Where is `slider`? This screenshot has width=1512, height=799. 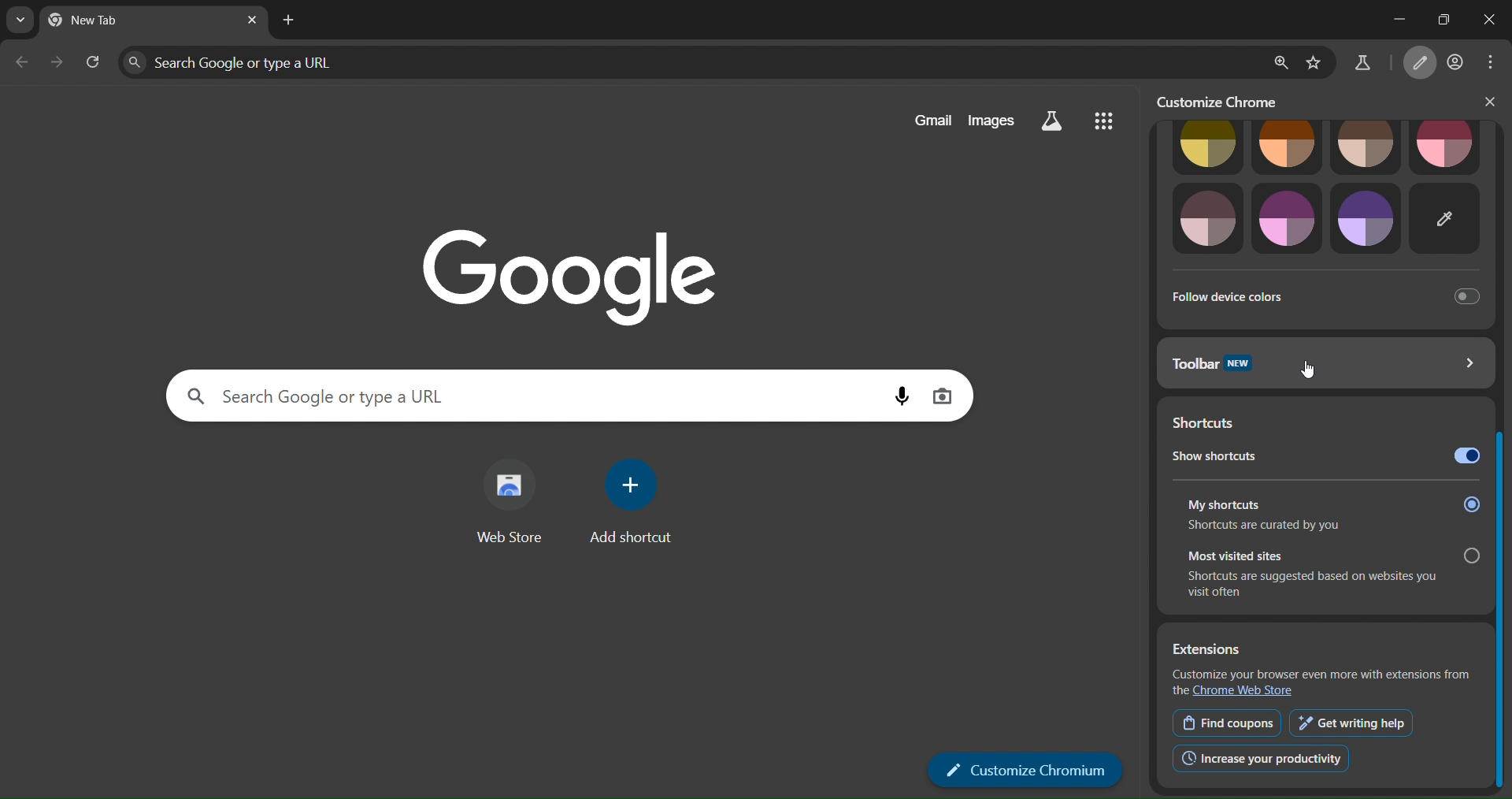
slider is located at coordinates (1503, 607).